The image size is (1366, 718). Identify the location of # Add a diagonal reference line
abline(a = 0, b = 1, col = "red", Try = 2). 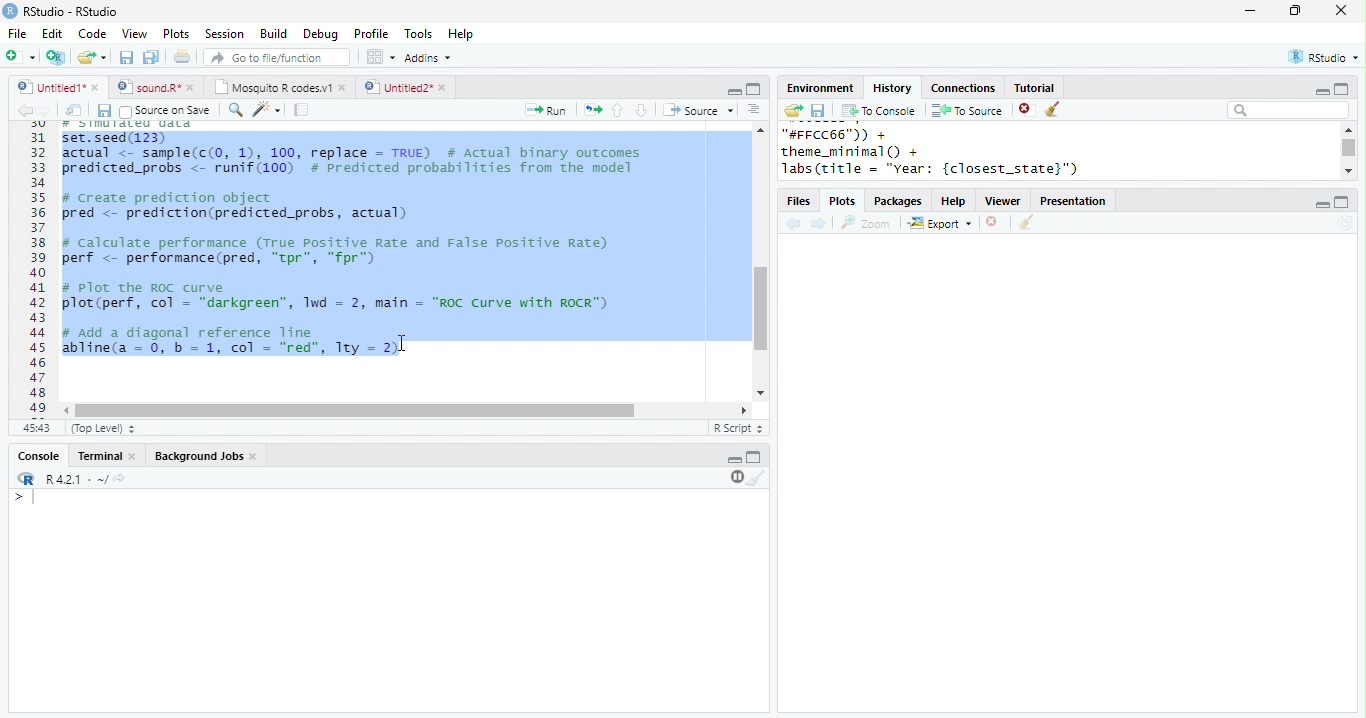
(234, 343).